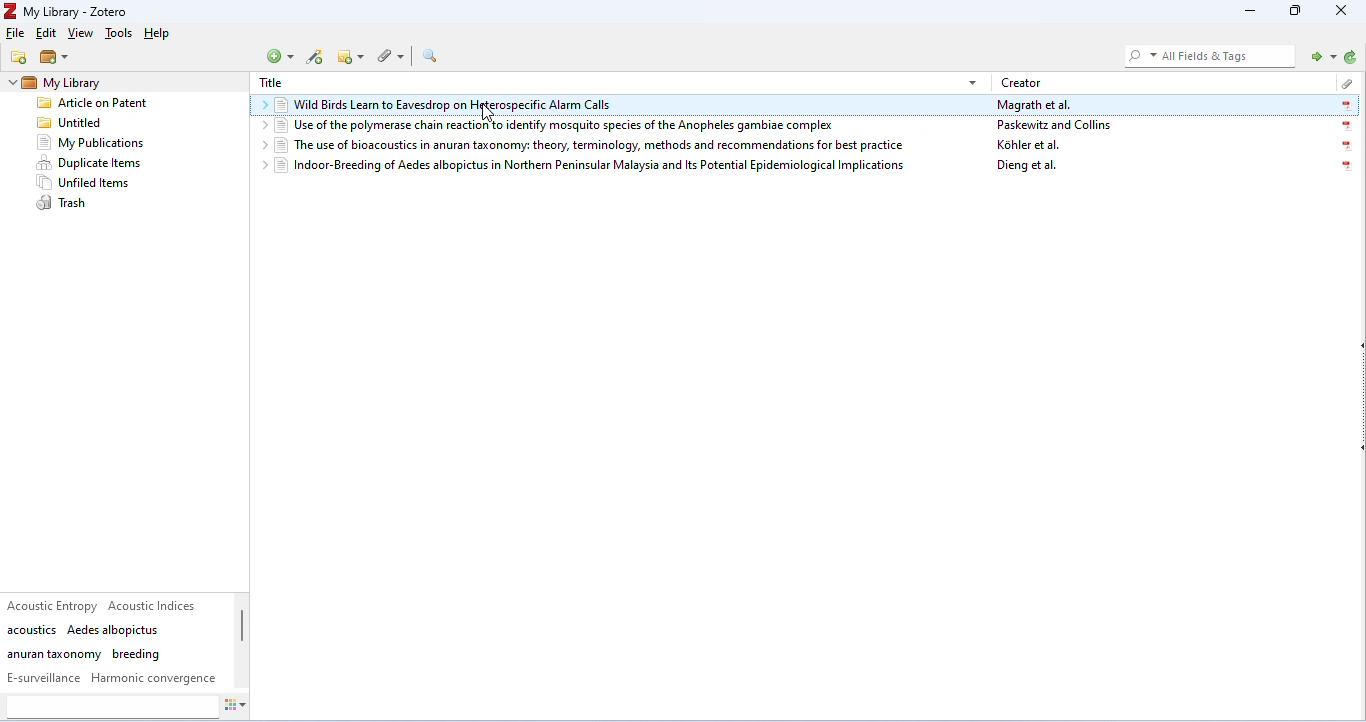  What do you see at coordinates (90, 163) in the screenshot?
I see `duplicate items` at bounding box center [90, 163].